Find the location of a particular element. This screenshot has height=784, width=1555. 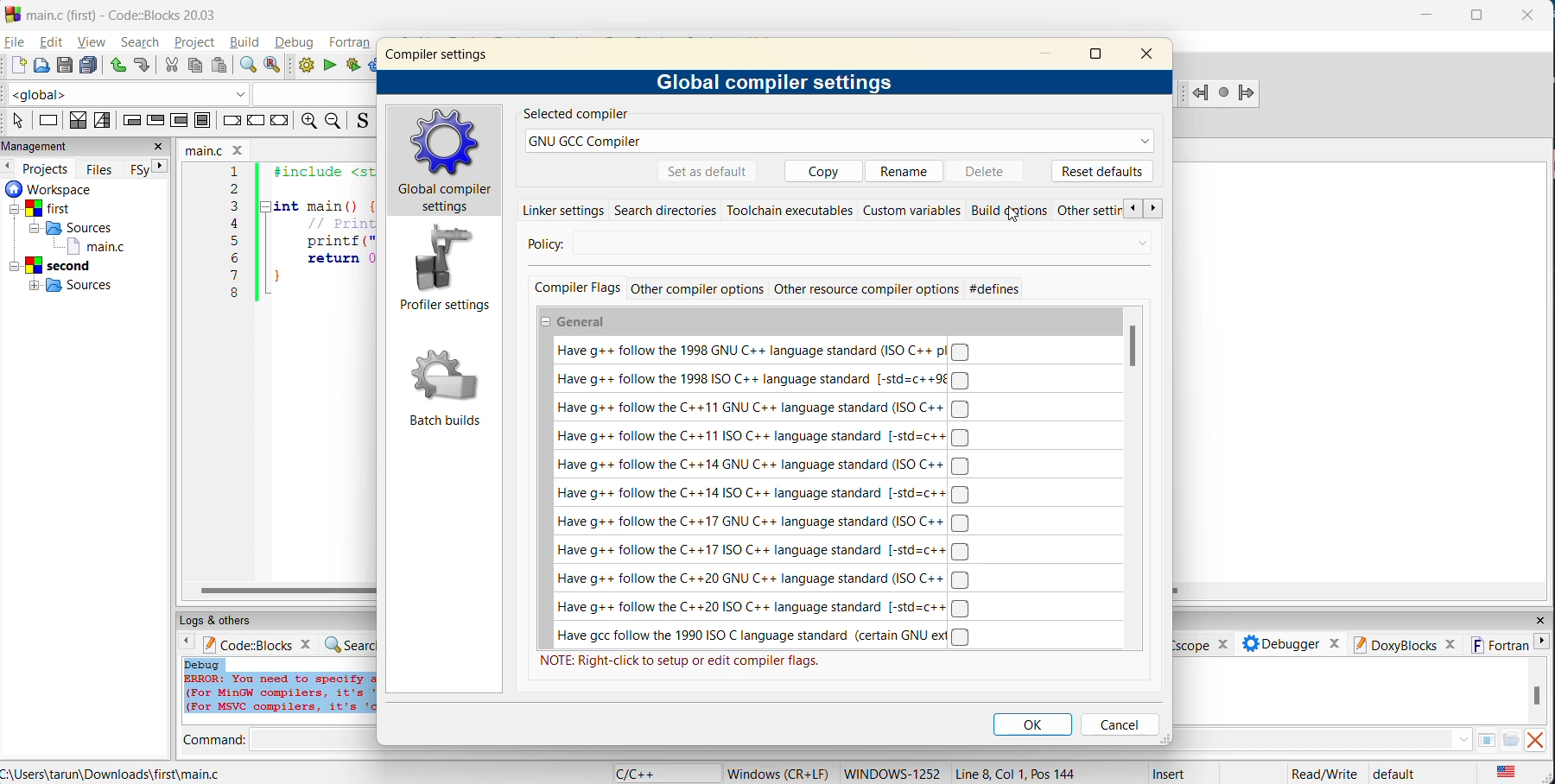

cursor is located at coordinates (1010, 213).